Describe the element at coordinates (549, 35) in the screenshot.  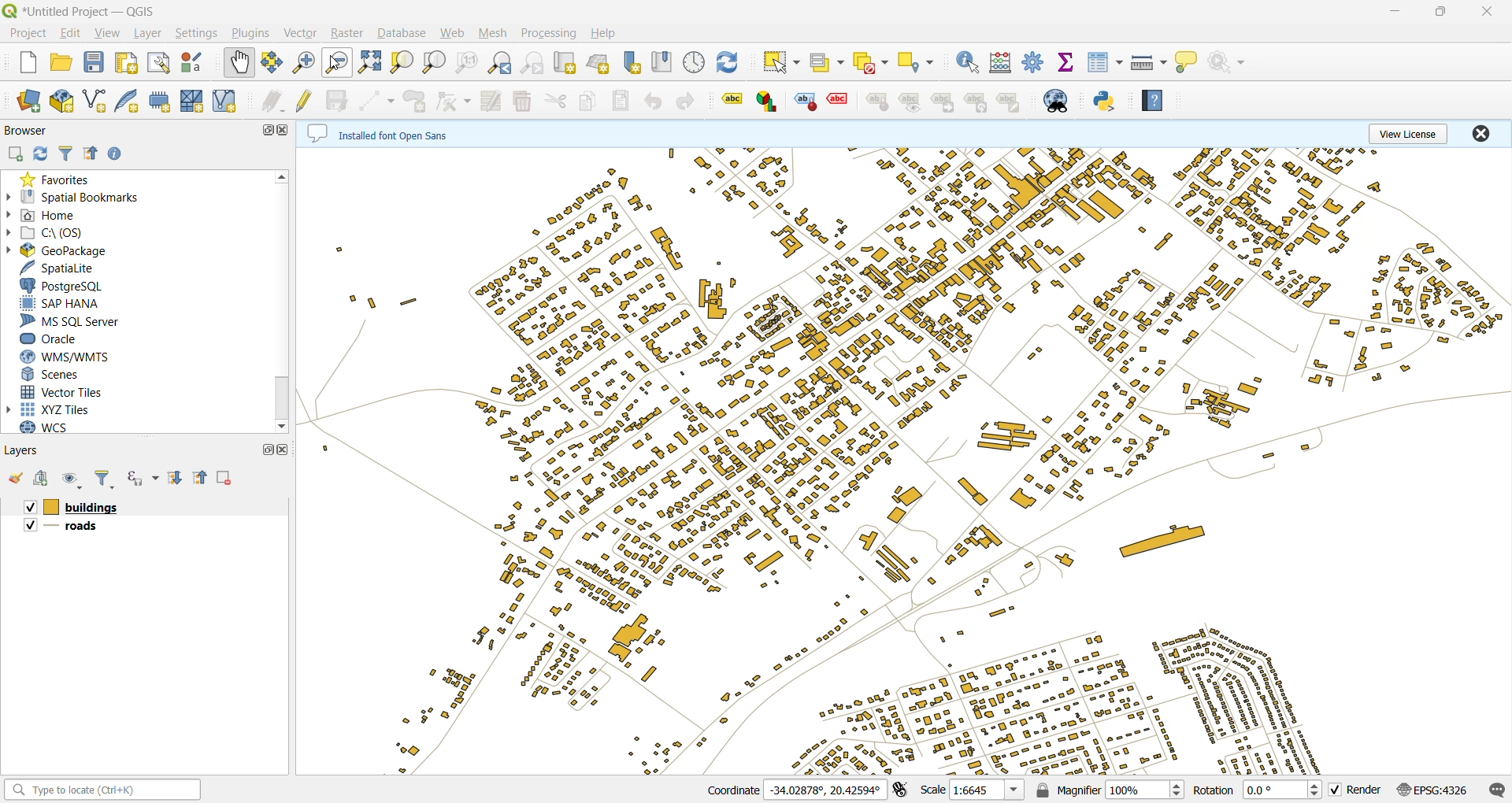
I see `processing` at that location.